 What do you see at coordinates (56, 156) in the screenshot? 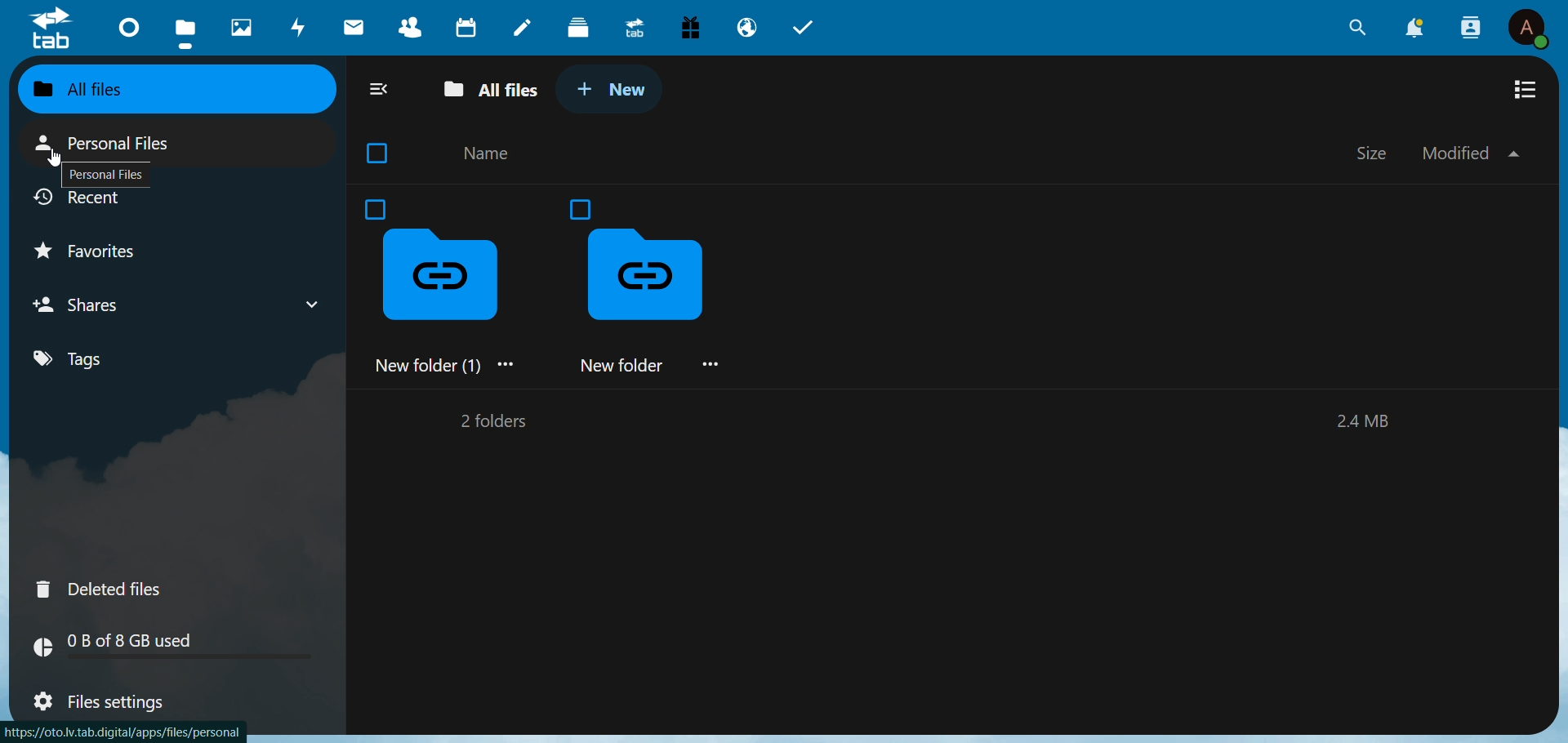
I see `cursor` at bounding box center [56, 156].